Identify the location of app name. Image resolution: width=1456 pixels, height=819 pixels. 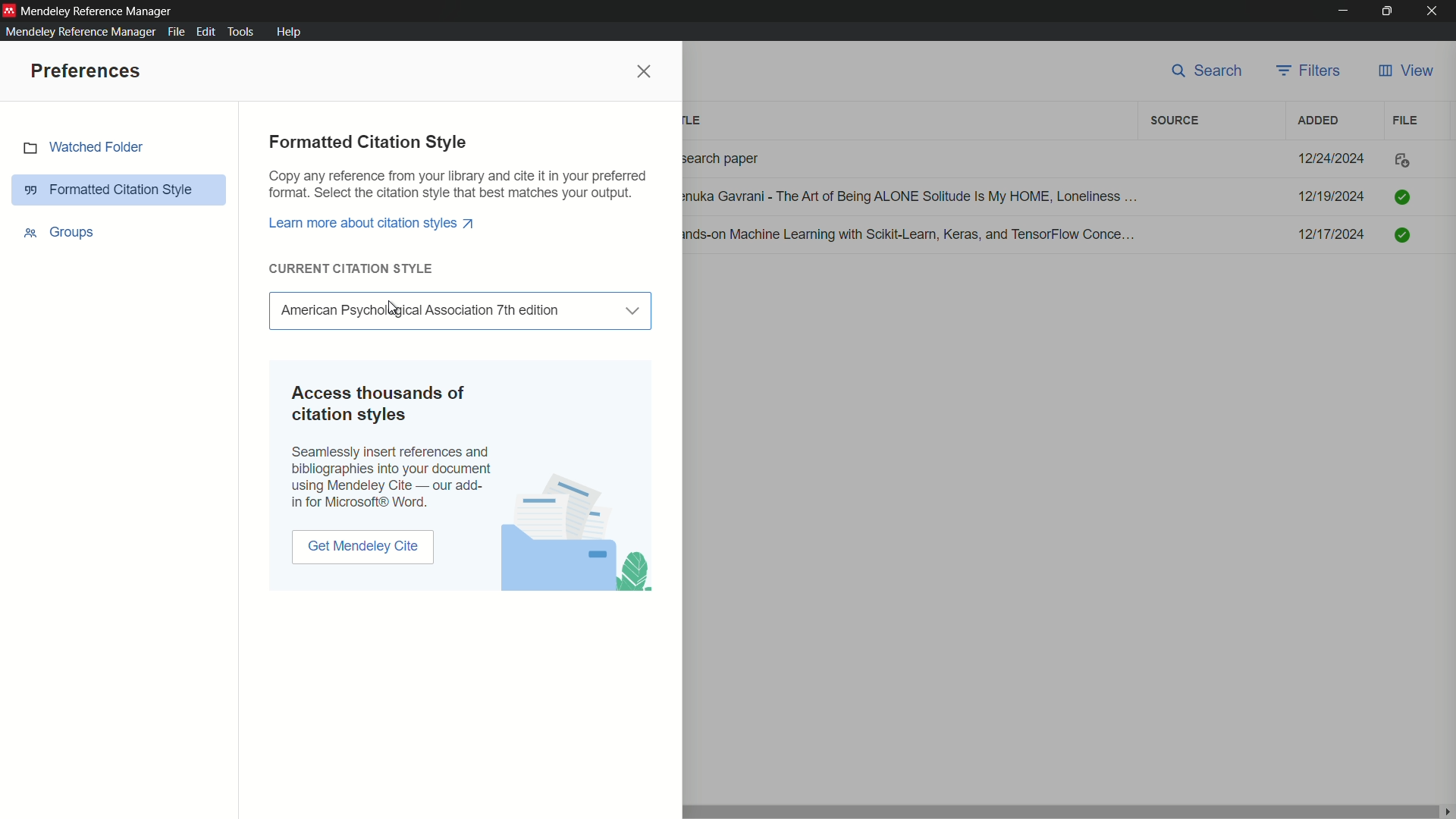
(99, 10).